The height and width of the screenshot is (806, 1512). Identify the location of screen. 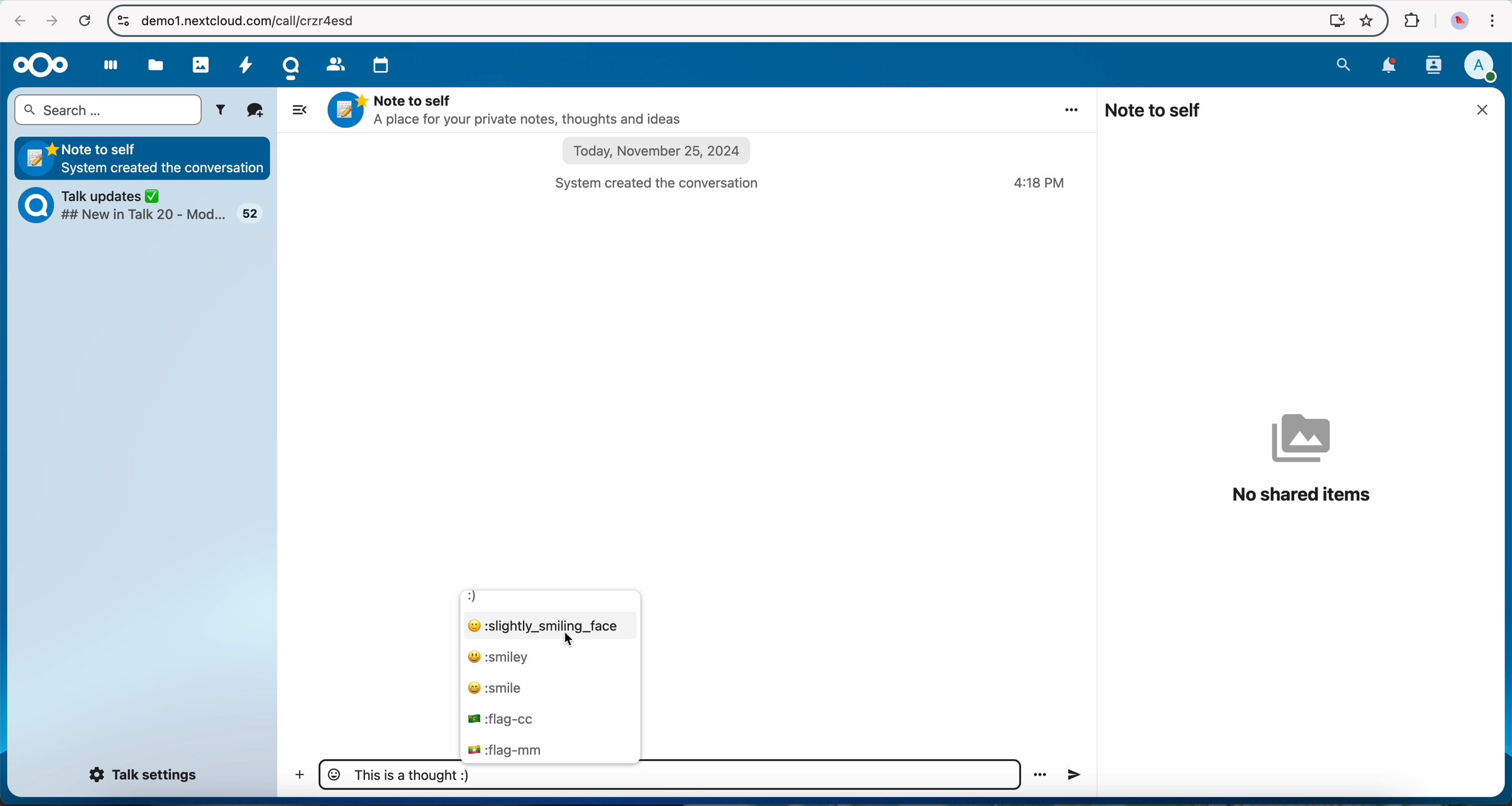
(1332, 21).